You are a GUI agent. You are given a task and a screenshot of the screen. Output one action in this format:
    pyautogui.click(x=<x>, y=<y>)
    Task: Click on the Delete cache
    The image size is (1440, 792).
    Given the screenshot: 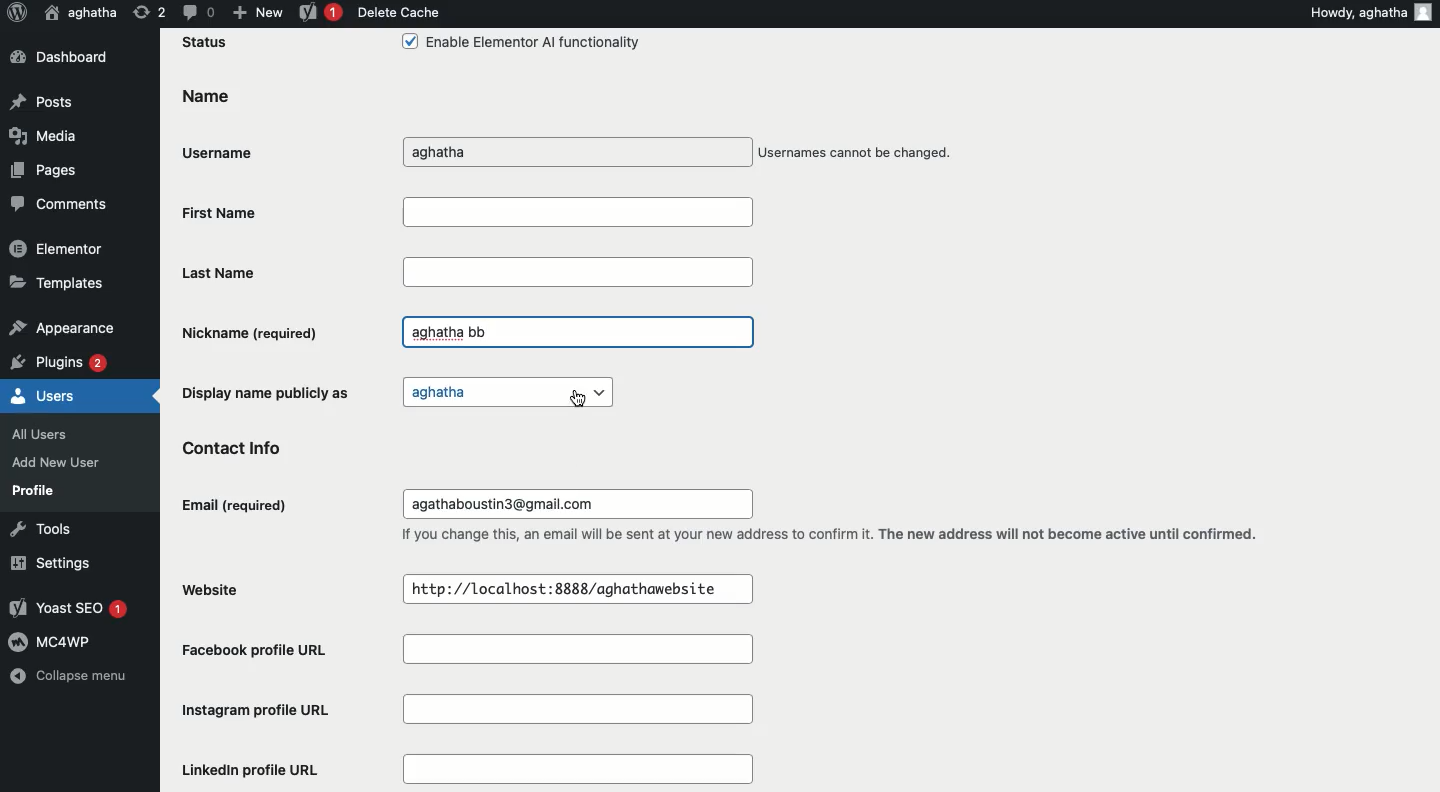 What is the action you would take?
    pyautogui.click(x=398, y=12)
    